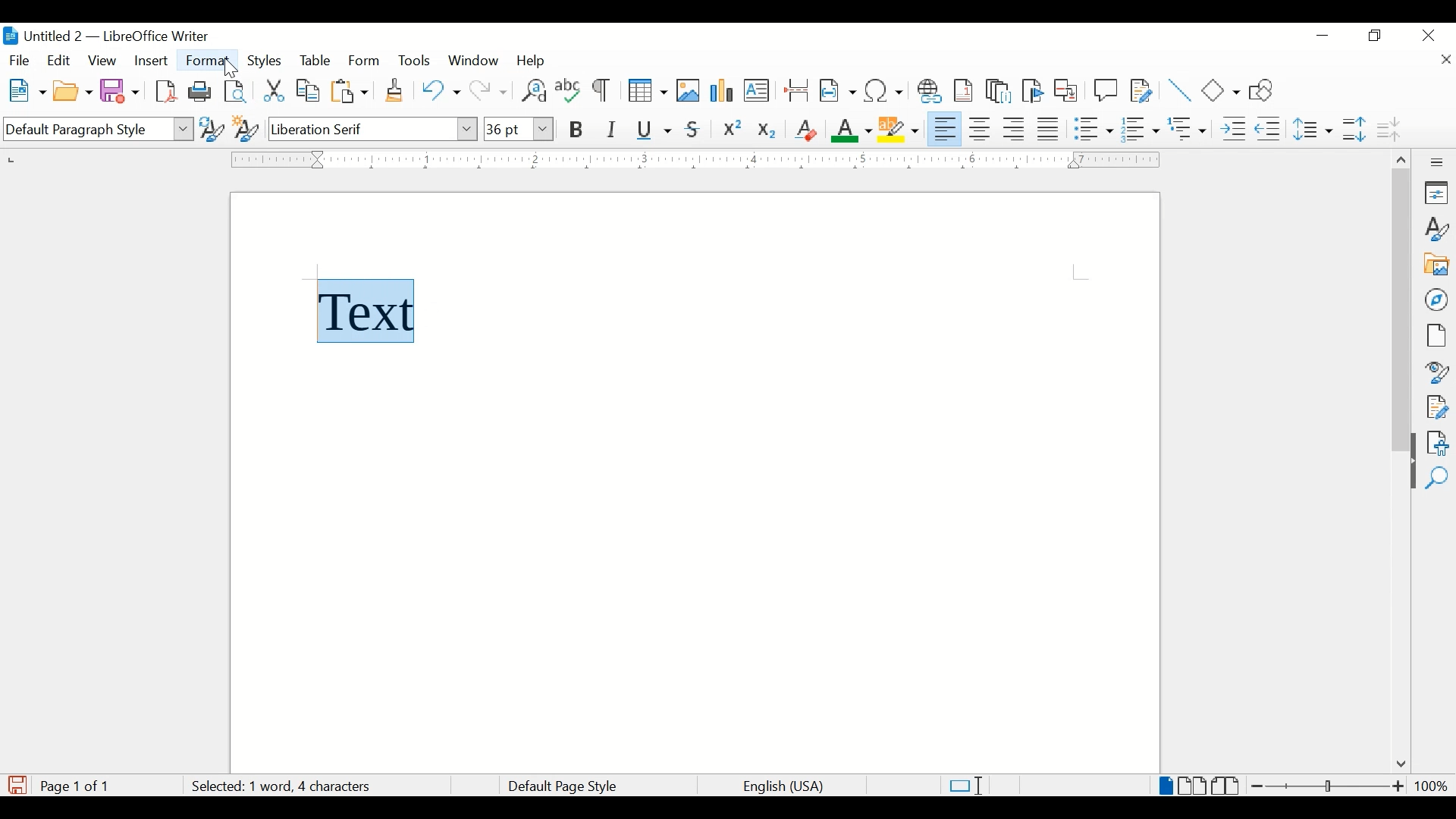 The width and height of the screenshot is (1456, 819). I want to click on toggle ordered list, so click(1140, 128).